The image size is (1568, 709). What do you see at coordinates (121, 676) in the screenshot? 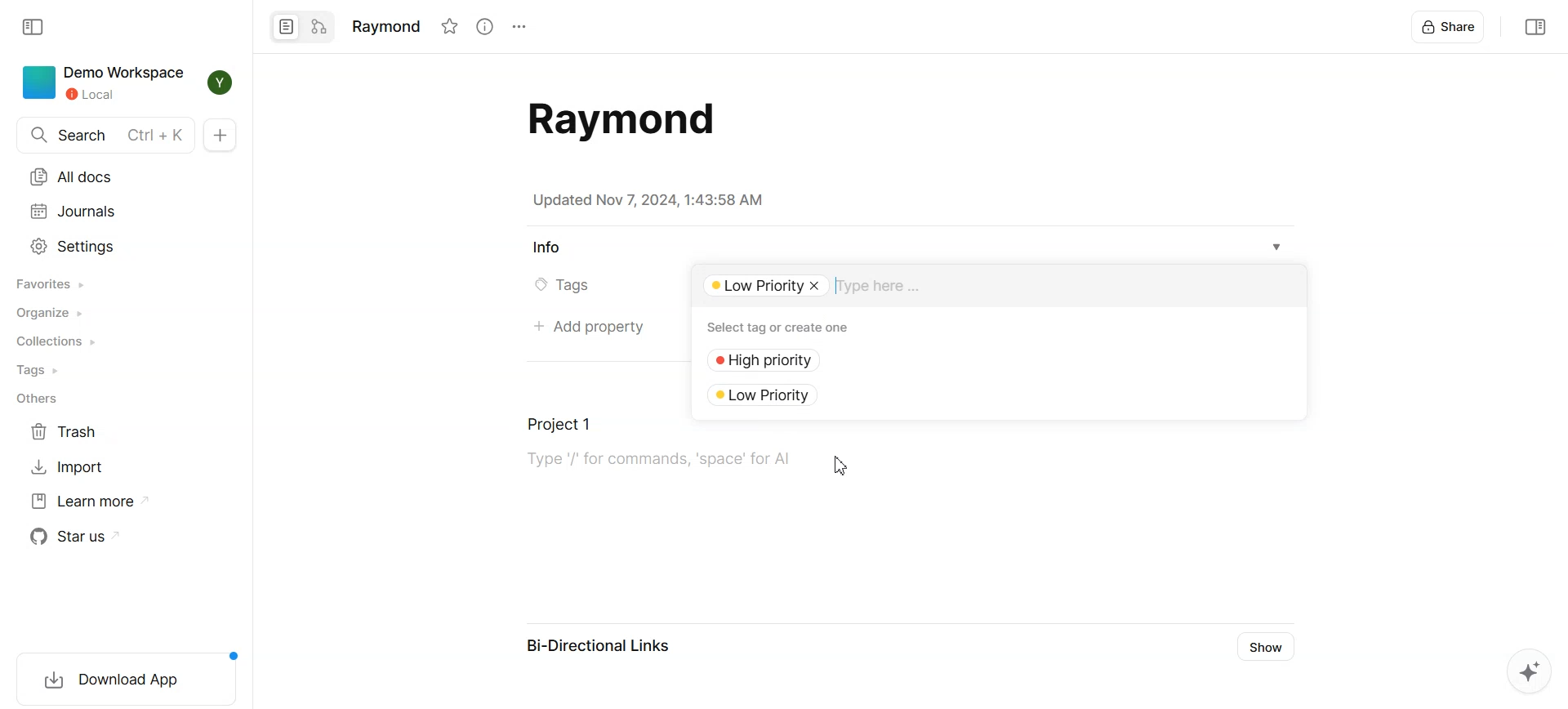
I see `Download App` at bounding box center [121, 676].